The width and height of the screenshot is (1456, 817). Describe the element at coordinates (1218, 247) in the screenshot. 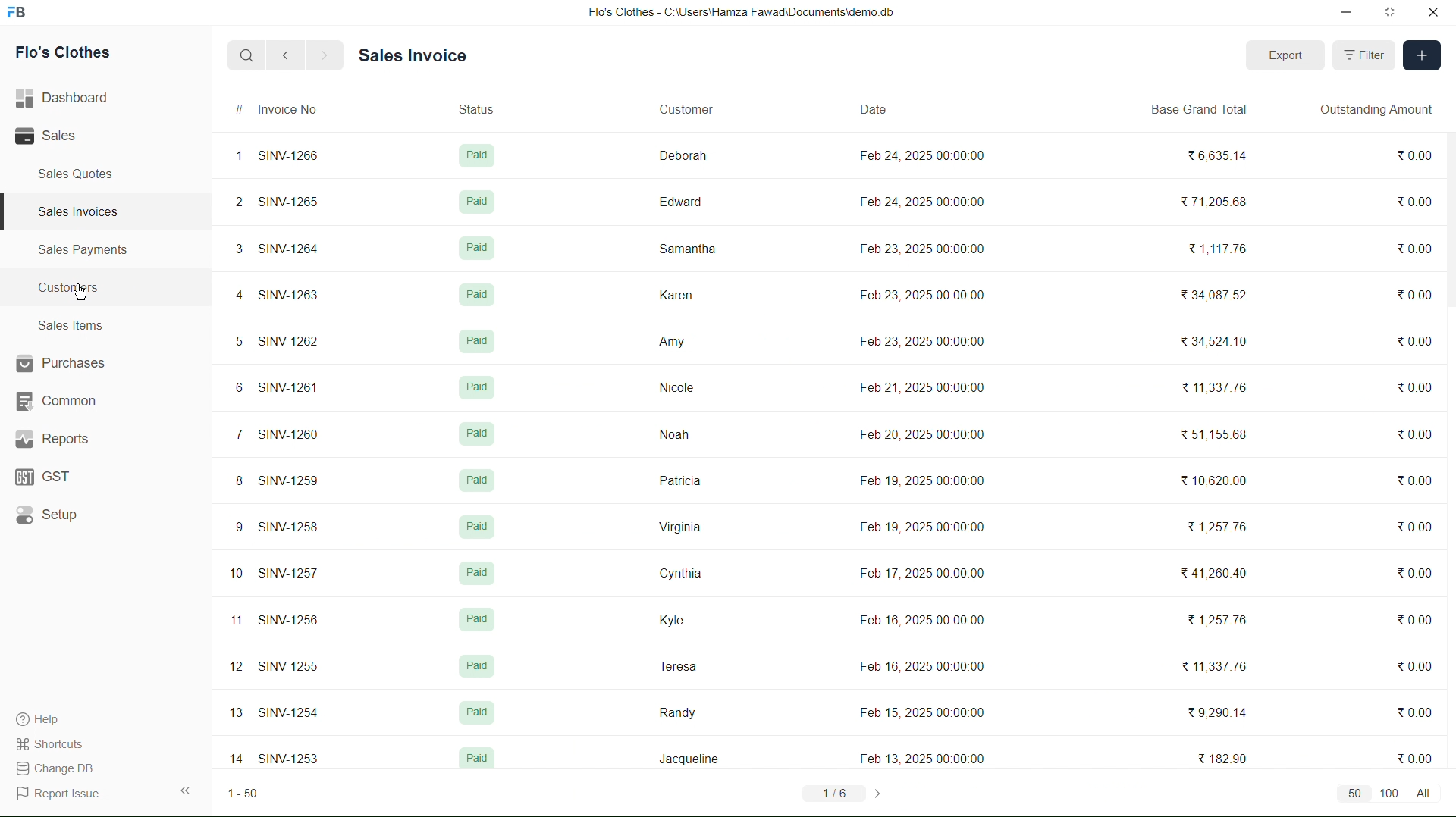

I see `1.11776` at that location.